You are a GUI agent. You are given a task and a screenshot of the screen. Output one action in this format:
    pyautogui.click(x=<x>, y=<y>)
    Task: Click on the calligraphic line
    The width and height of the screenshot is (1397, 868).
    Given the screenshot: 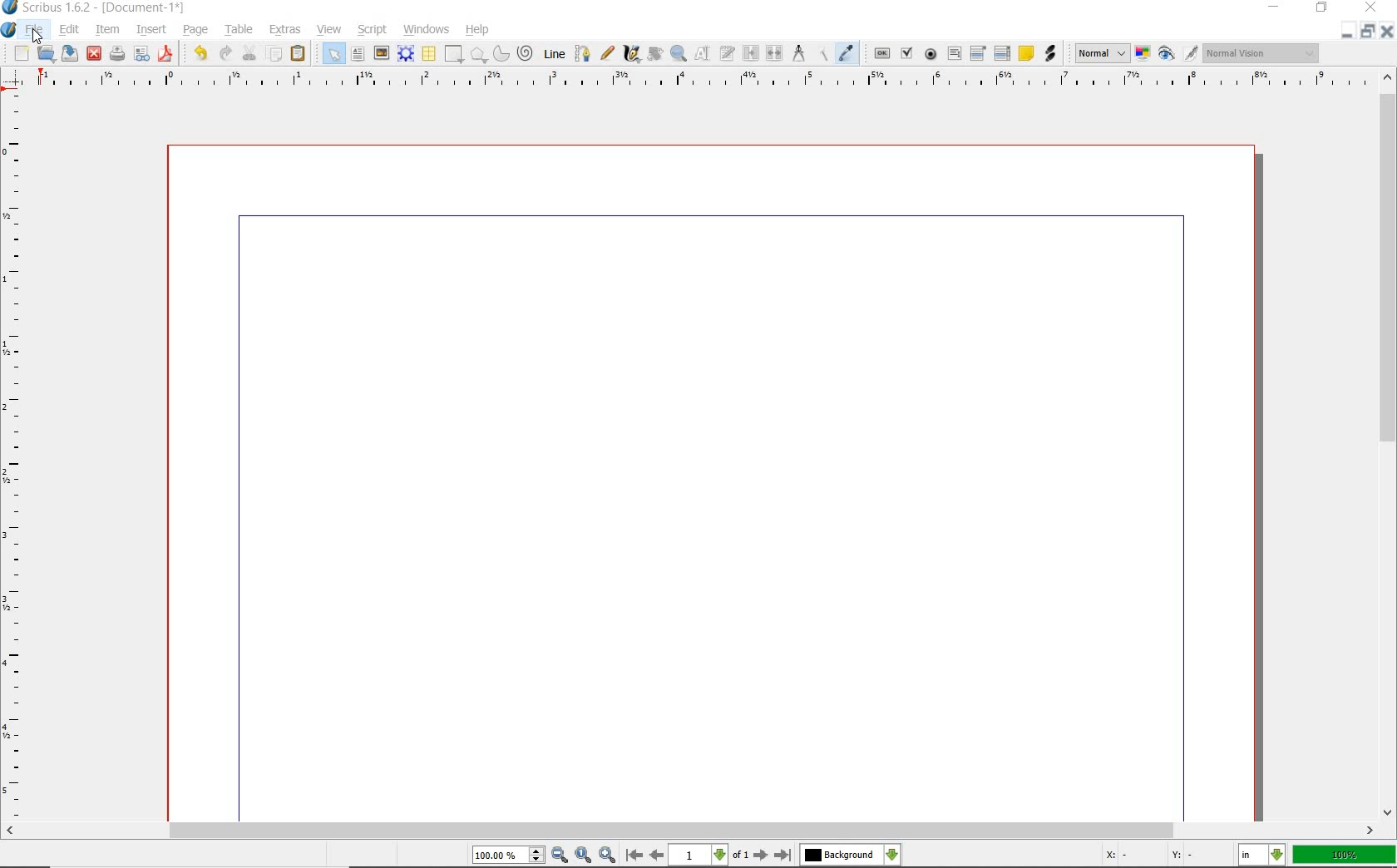 What is the action you would take?
    pyautogui.click(x=633, y=55)
    